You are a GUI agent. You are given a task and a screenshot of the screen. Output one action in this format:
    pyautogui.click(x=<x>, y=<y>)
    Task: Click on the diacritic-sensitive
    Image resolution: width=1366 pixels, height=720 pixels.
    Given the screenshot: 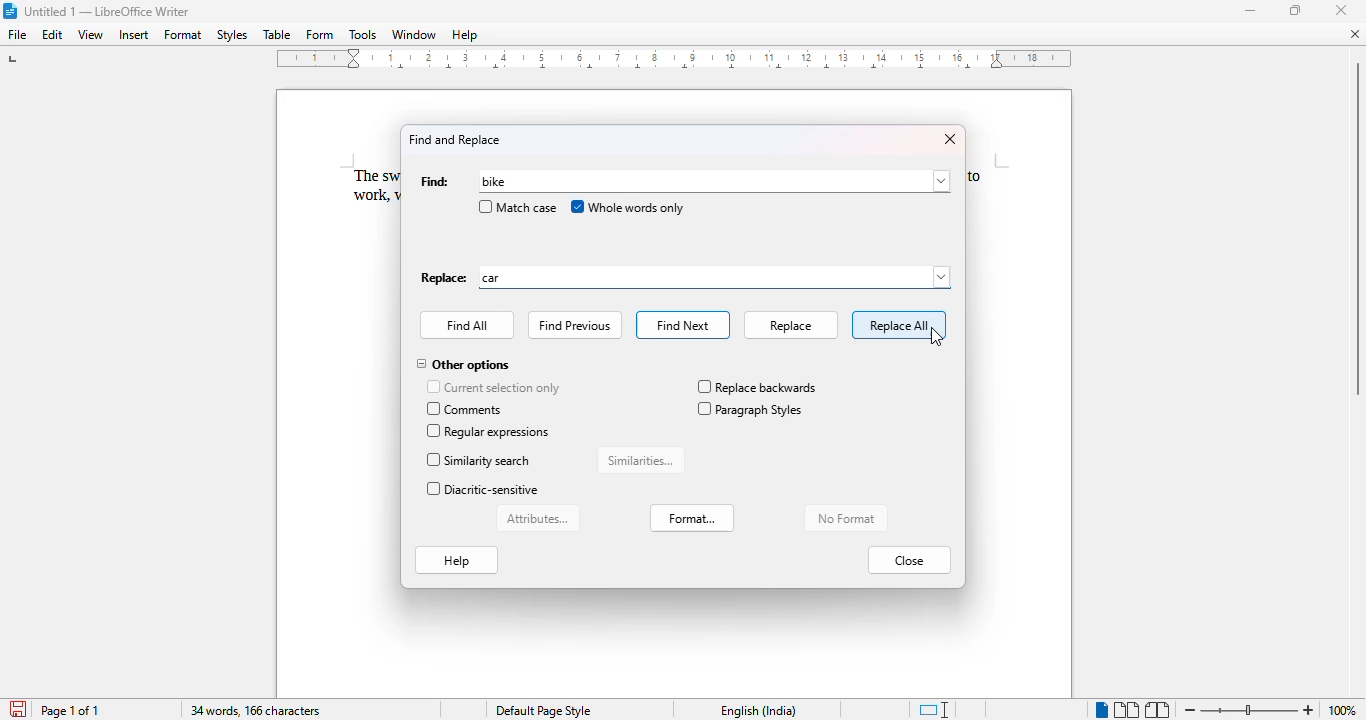 What is the action you would take?
    pyautogui.click(x=483, y=490)
    